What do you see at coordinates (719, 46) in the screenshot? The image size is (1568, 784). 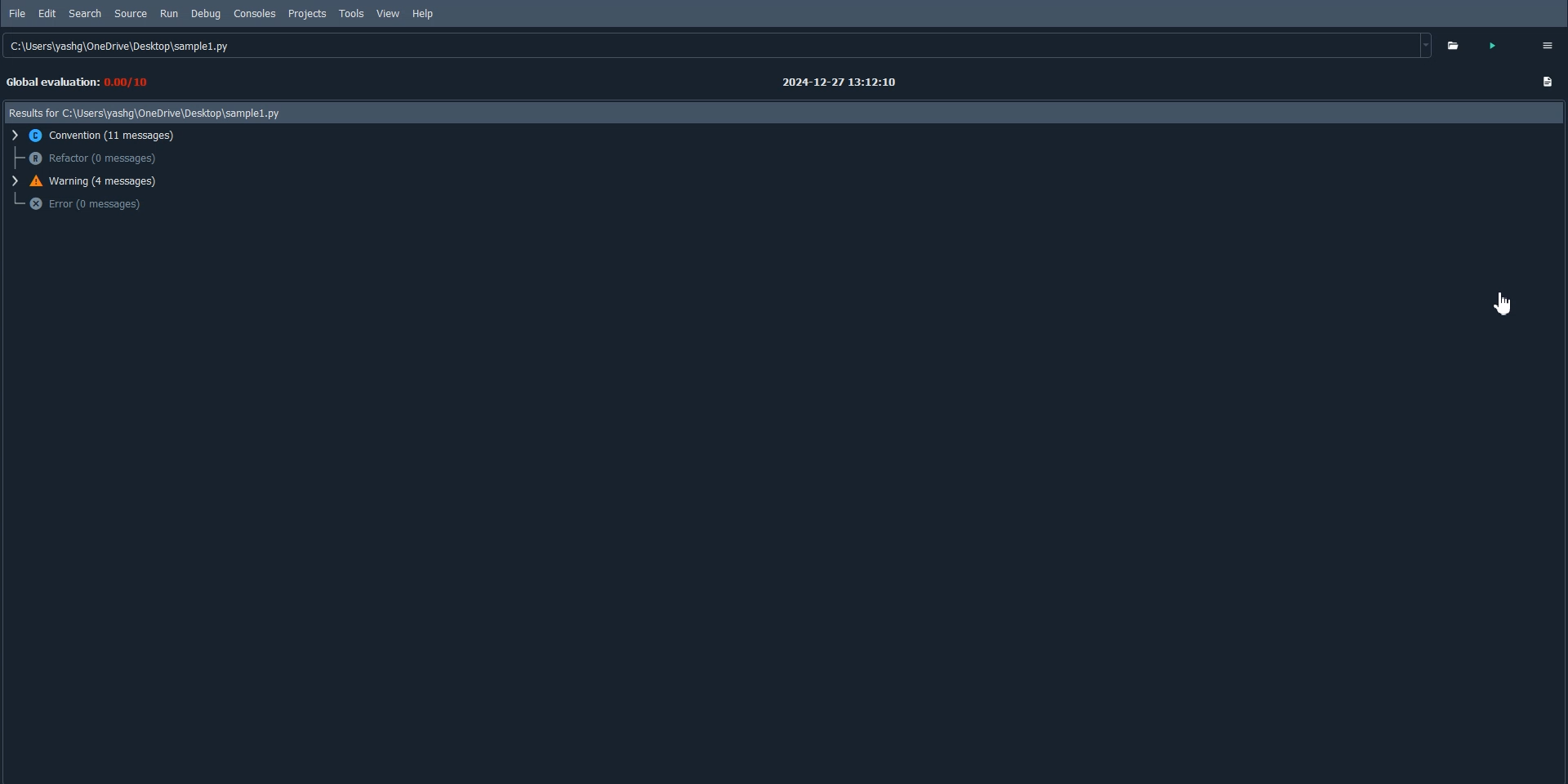 I see `File path address` at bounding box center [719, 46].